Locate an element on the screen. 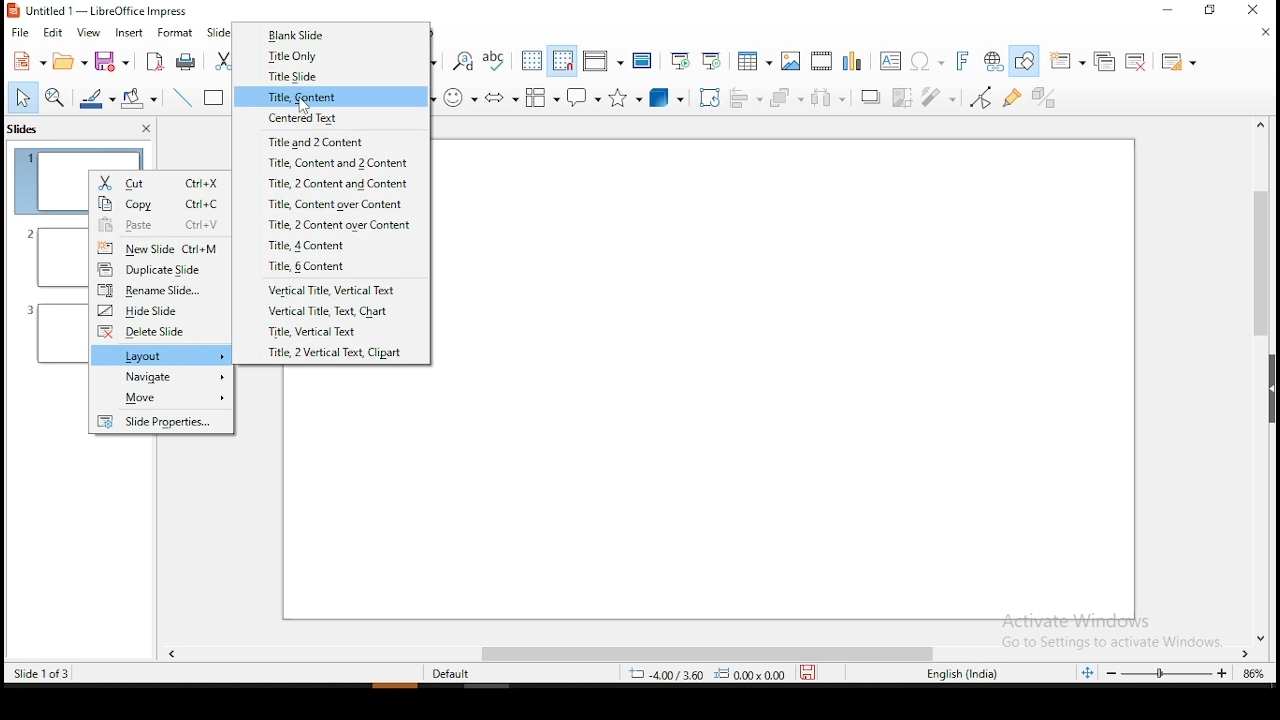 The height and width of the screenshot is (720, 1280). scroll bar is located at coordinates (707, 655).